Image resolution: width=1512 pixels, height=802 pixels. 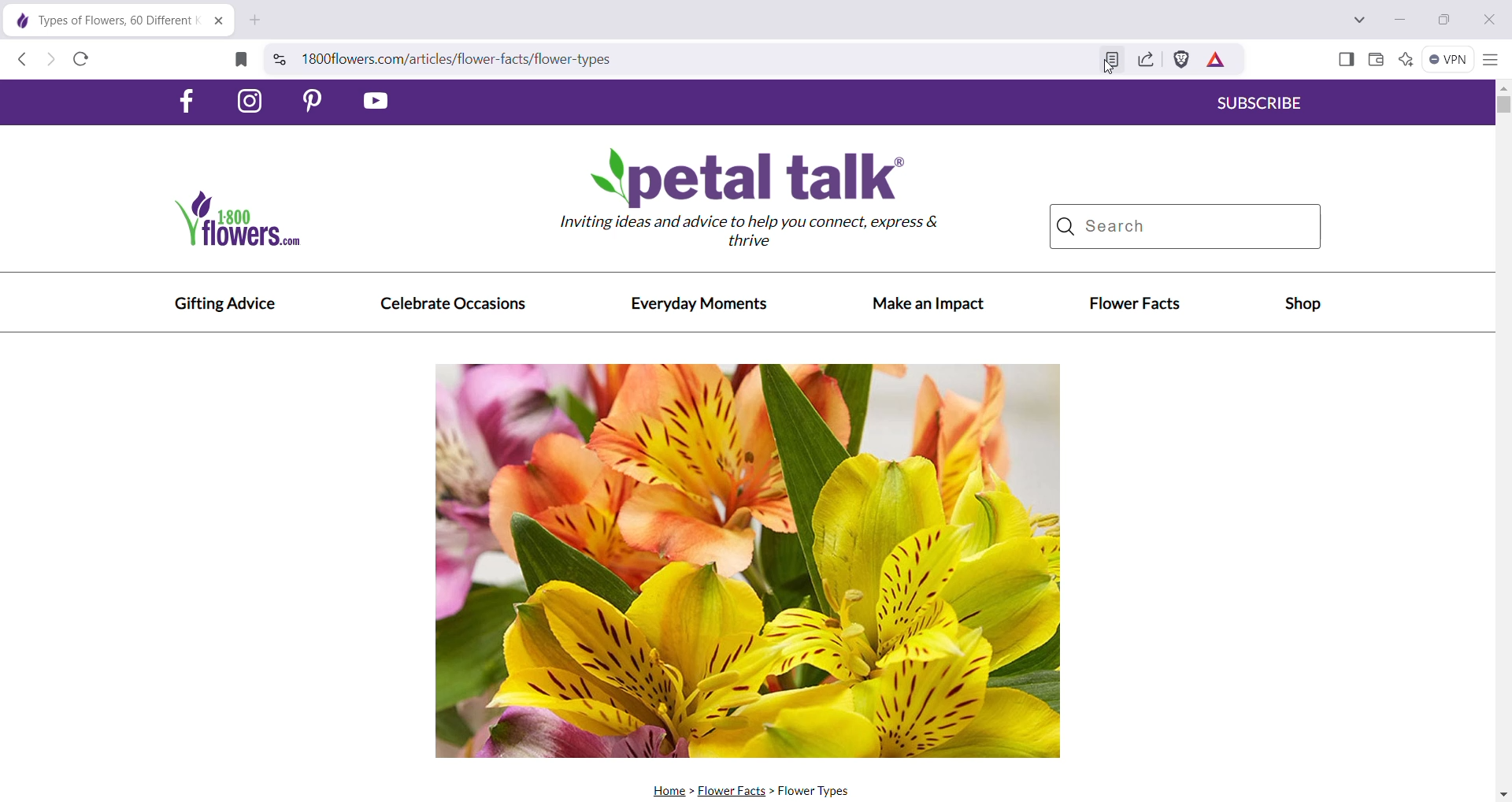 I want to click on Make an Impact, so click(x=929, y=303).